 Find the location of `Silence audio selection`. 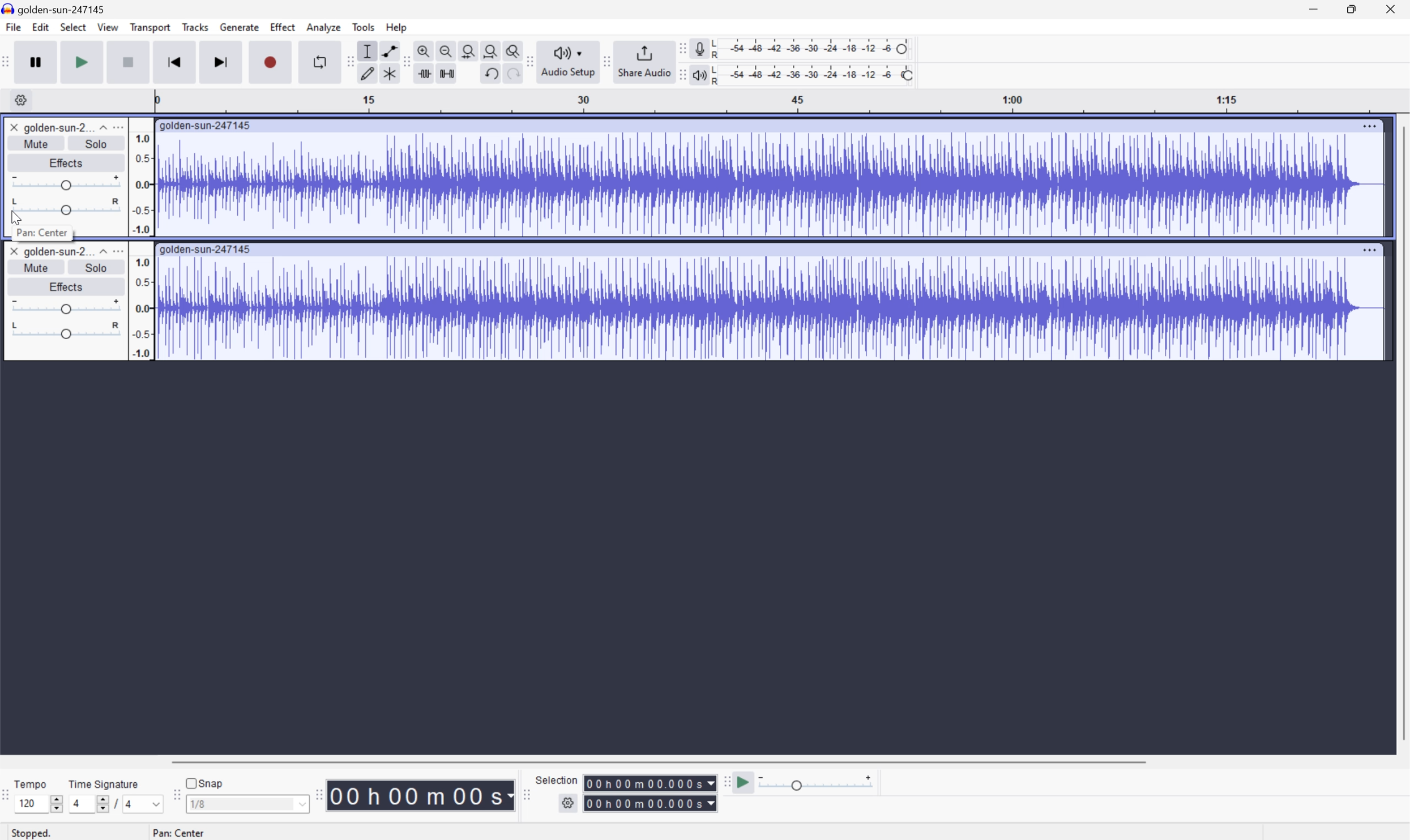

Silence audio selection is located at coordinates (448, 73).